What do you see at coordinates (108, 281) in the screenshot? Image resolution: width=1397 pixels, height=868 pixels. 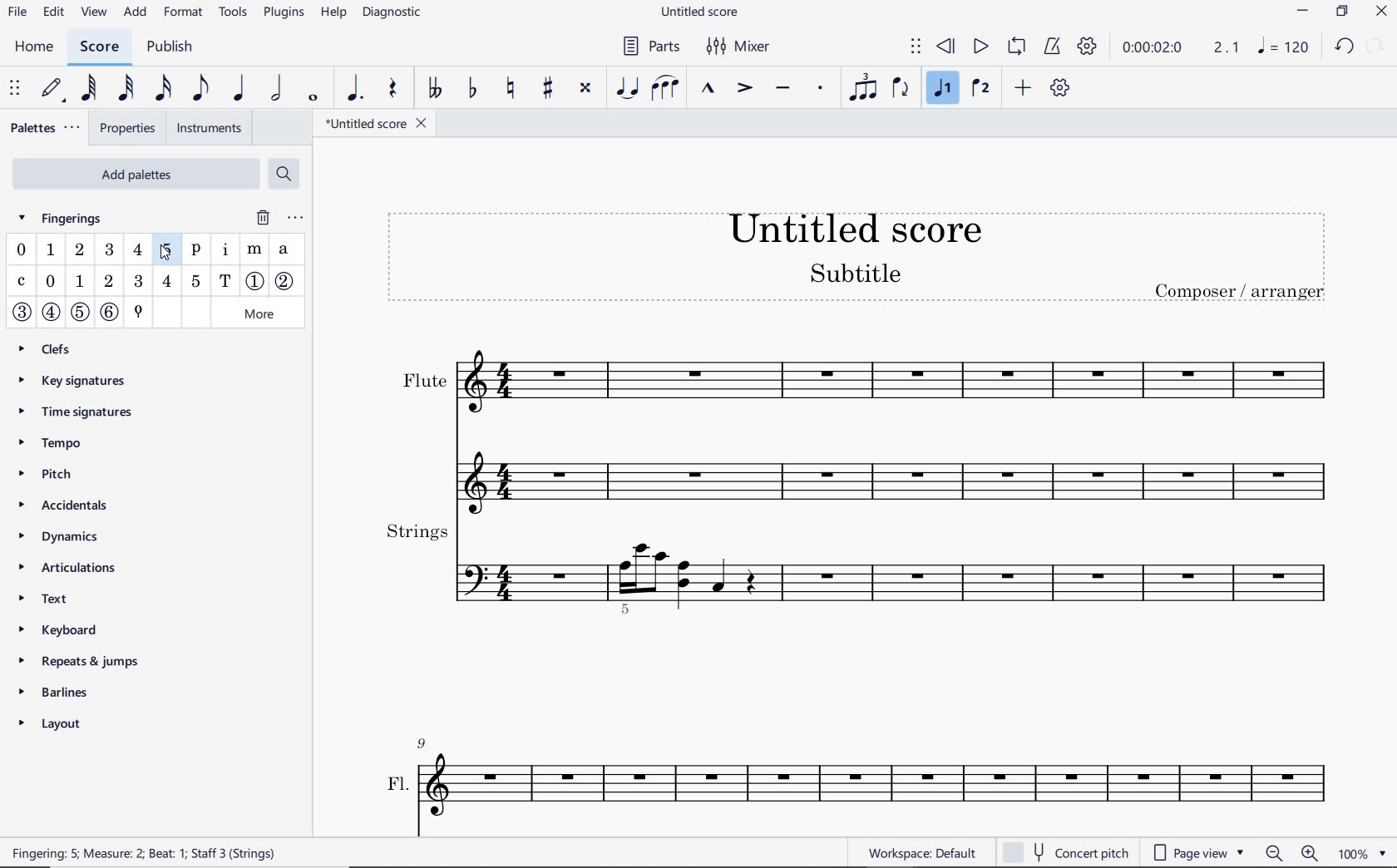 I see `LH GUITAR FINGERING ` at bounding box center [108, 281].